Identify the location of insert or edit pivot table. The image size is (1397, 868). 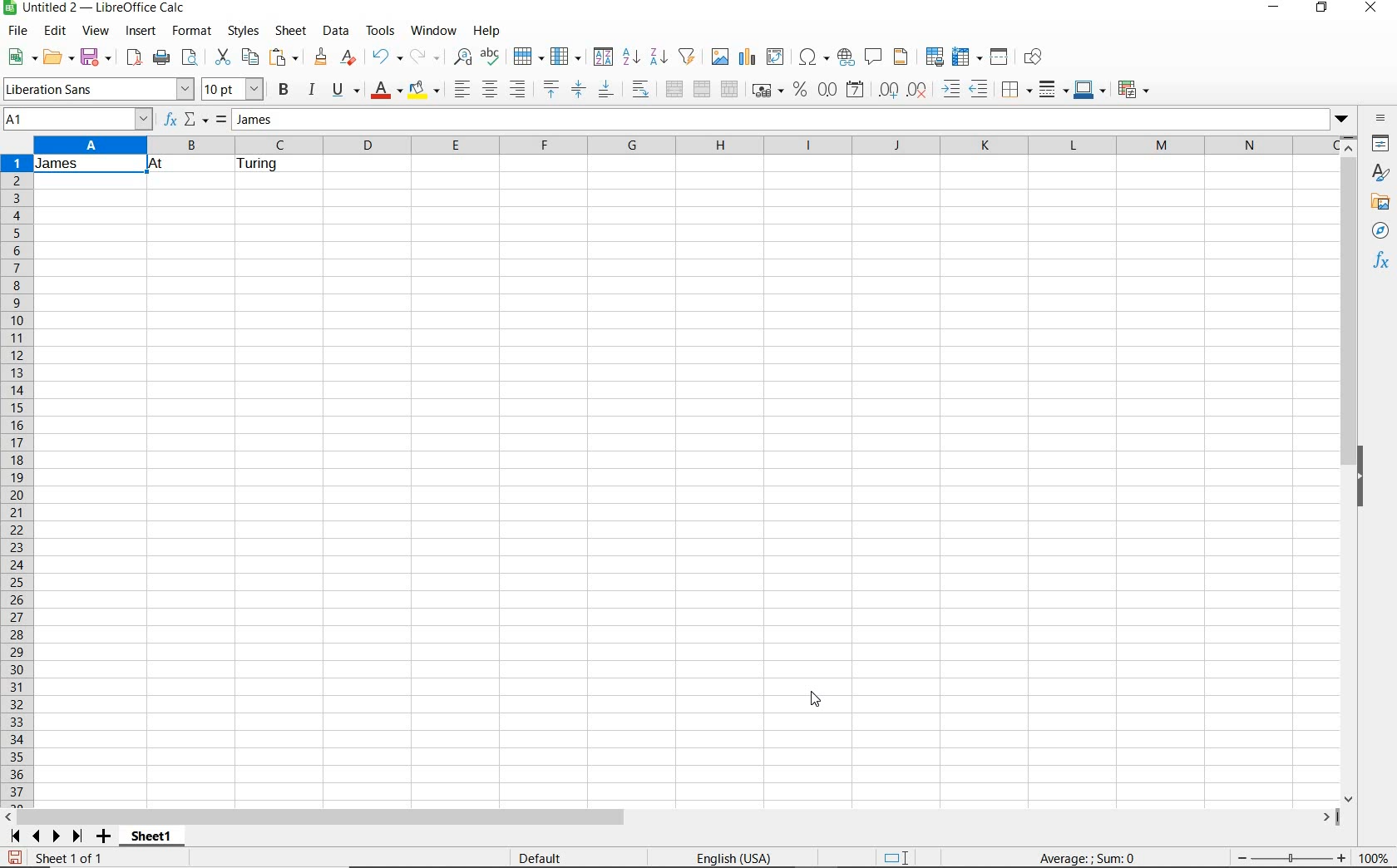
(778, 58).